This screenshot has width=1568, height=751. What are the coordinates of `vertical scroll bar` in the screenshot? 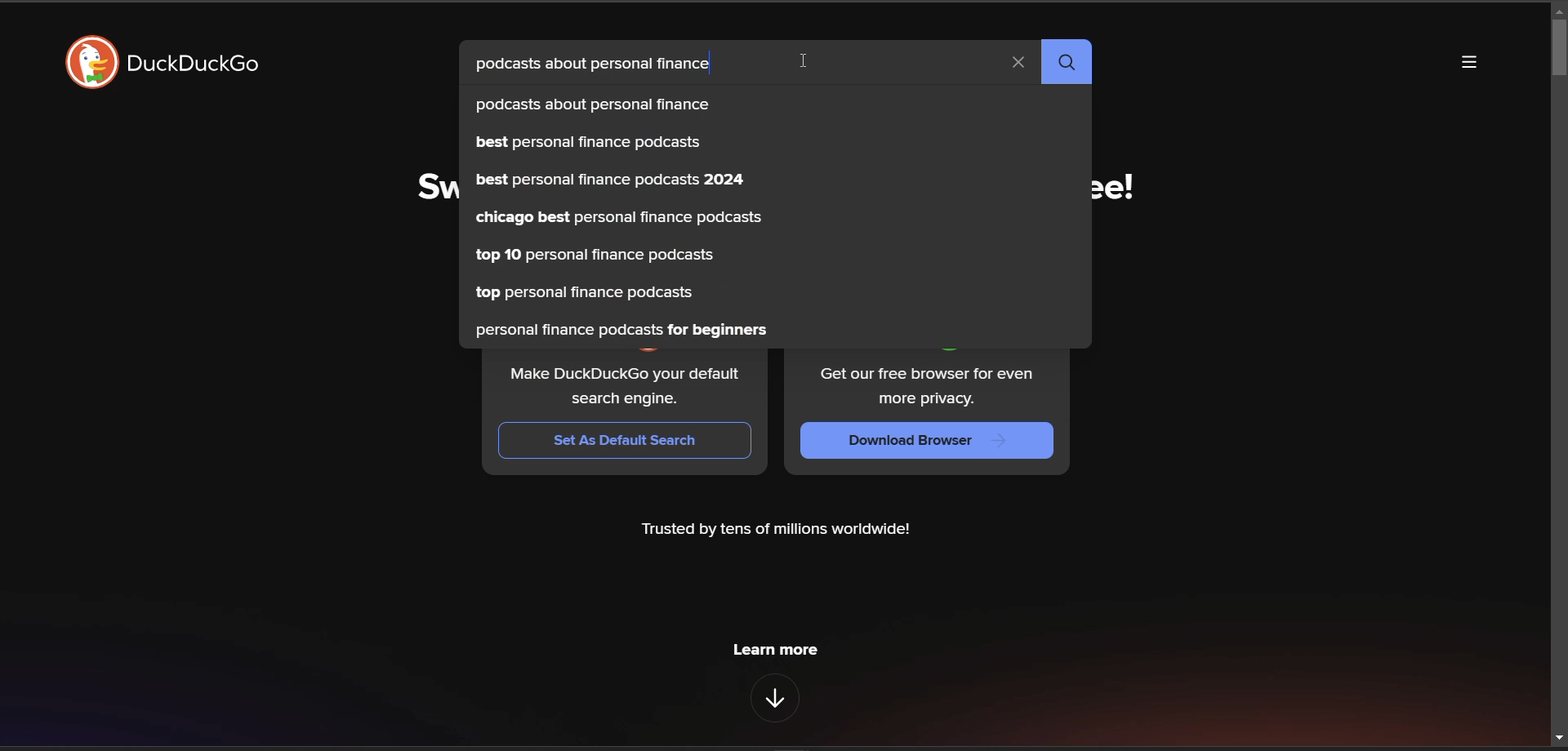 It's located at (1558, 49).